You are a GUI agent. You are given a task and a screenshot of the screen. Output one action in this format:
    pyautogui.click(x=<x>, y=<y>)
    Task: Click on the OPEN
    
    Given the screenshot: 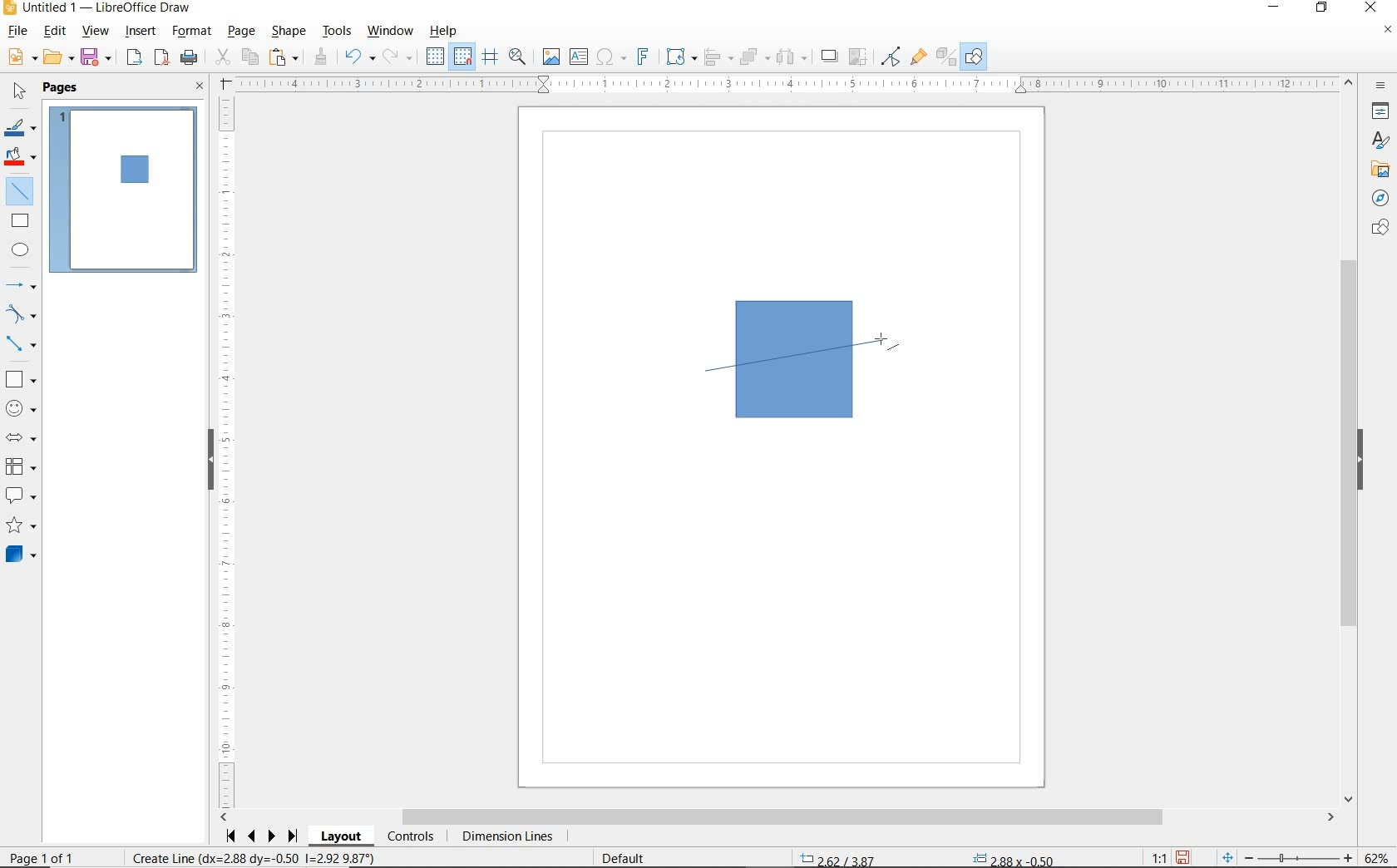 What is the action you would take?
    pyautogui.click(x=59, y=57)
    